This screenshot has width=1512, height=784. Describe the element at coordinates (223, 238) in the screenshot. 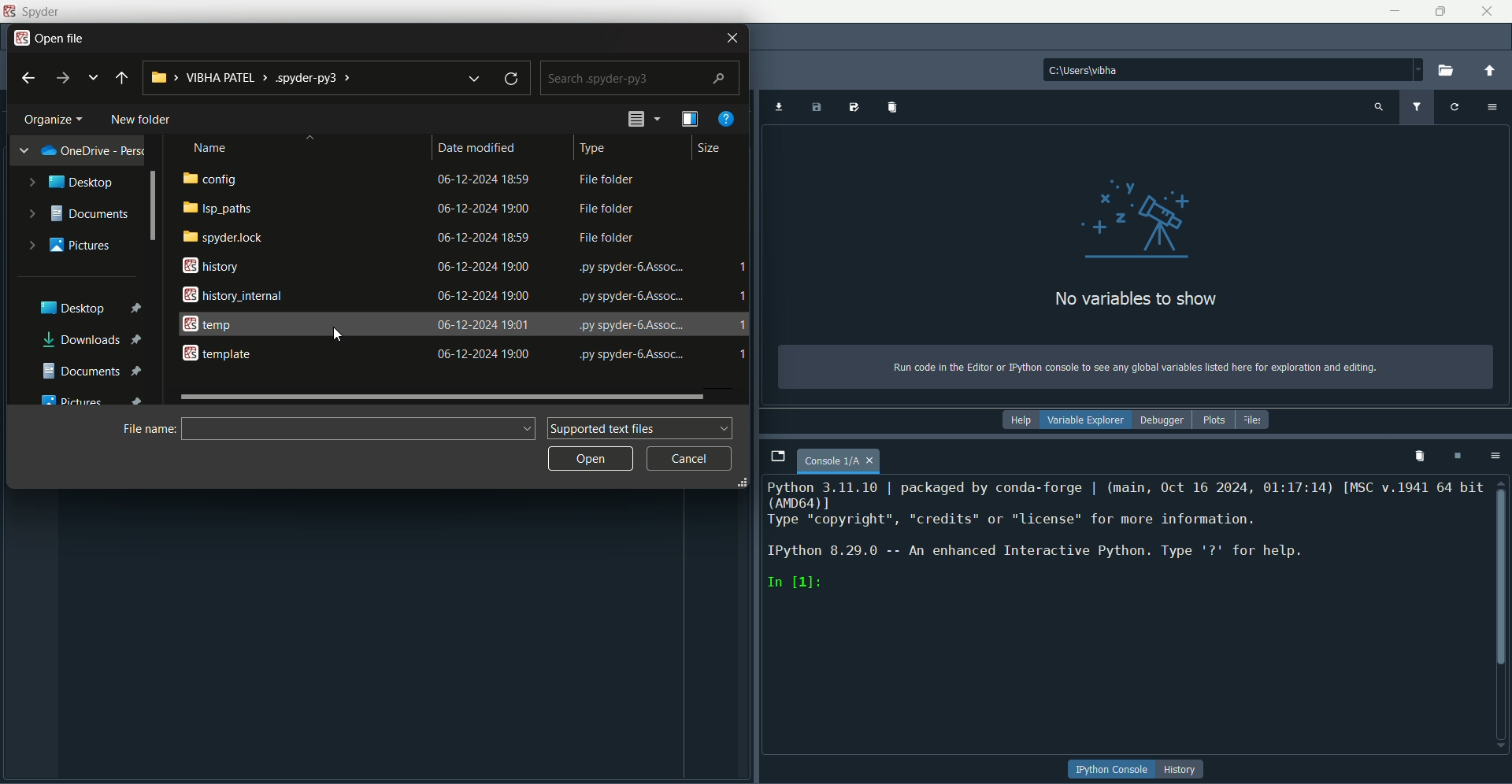

I see `spyder lock` at that location.